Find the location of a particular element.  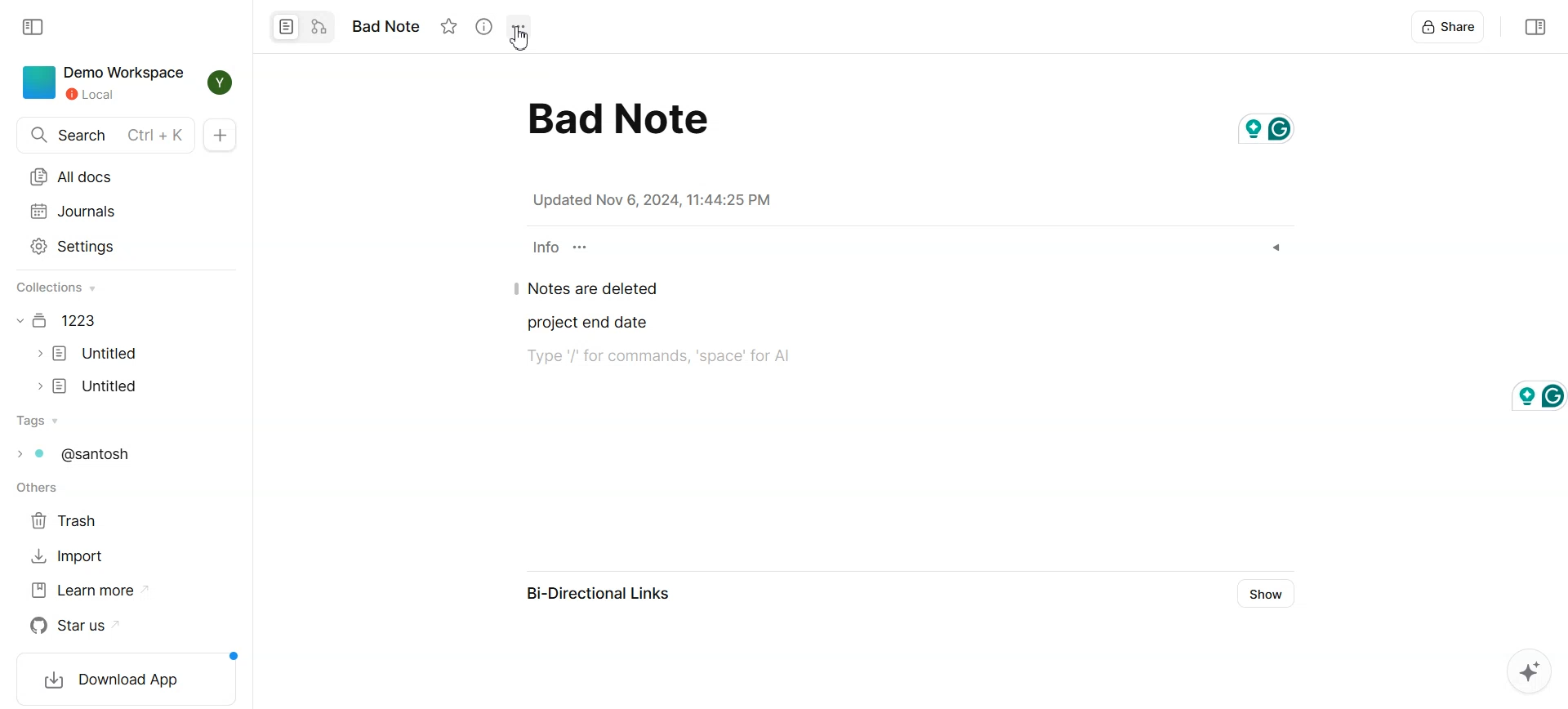

All docs is located at coordinates (106, 177).